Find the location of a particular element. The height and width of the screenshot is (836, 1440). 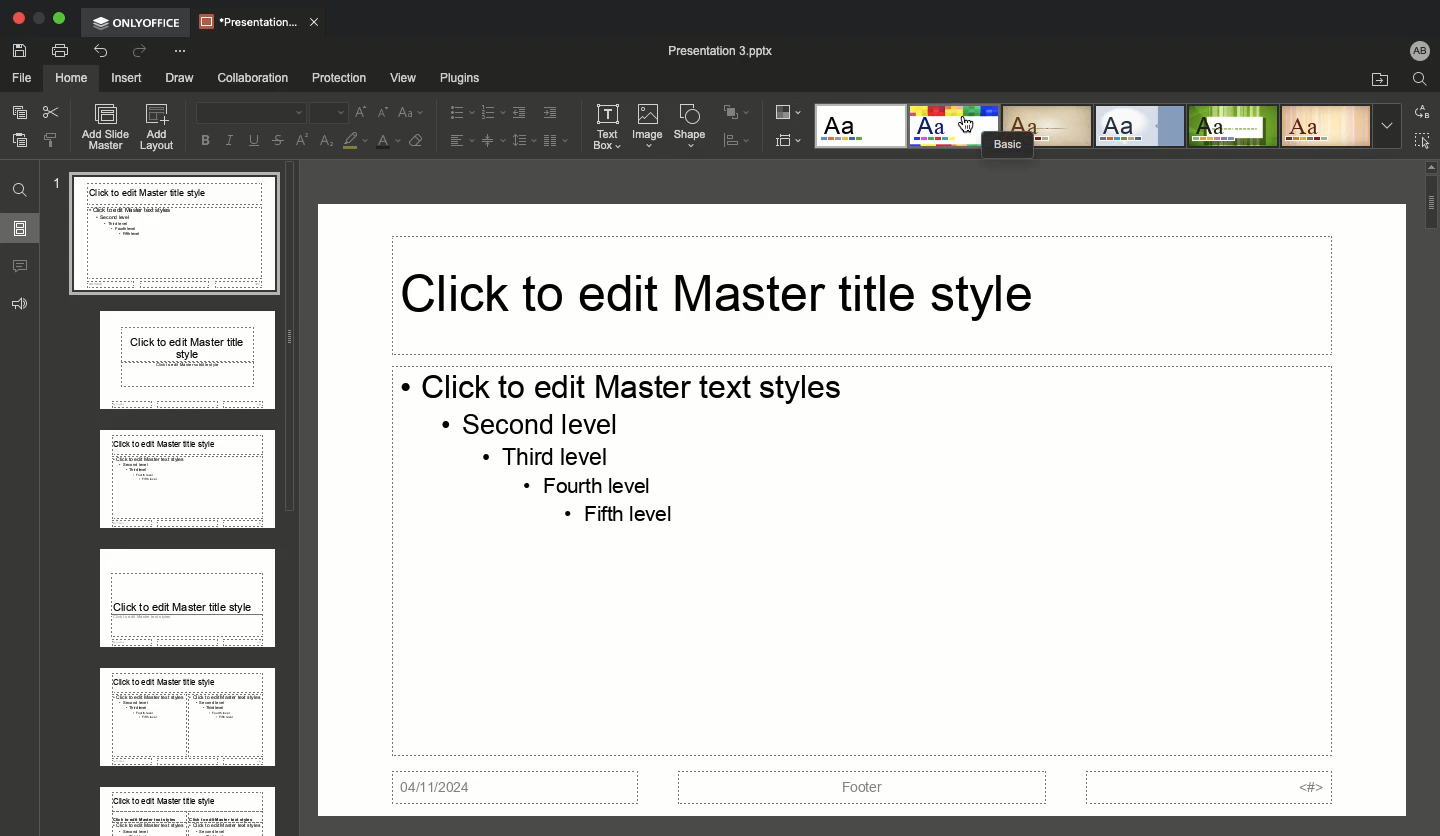

Superscript is located at coordinates (303, 140).